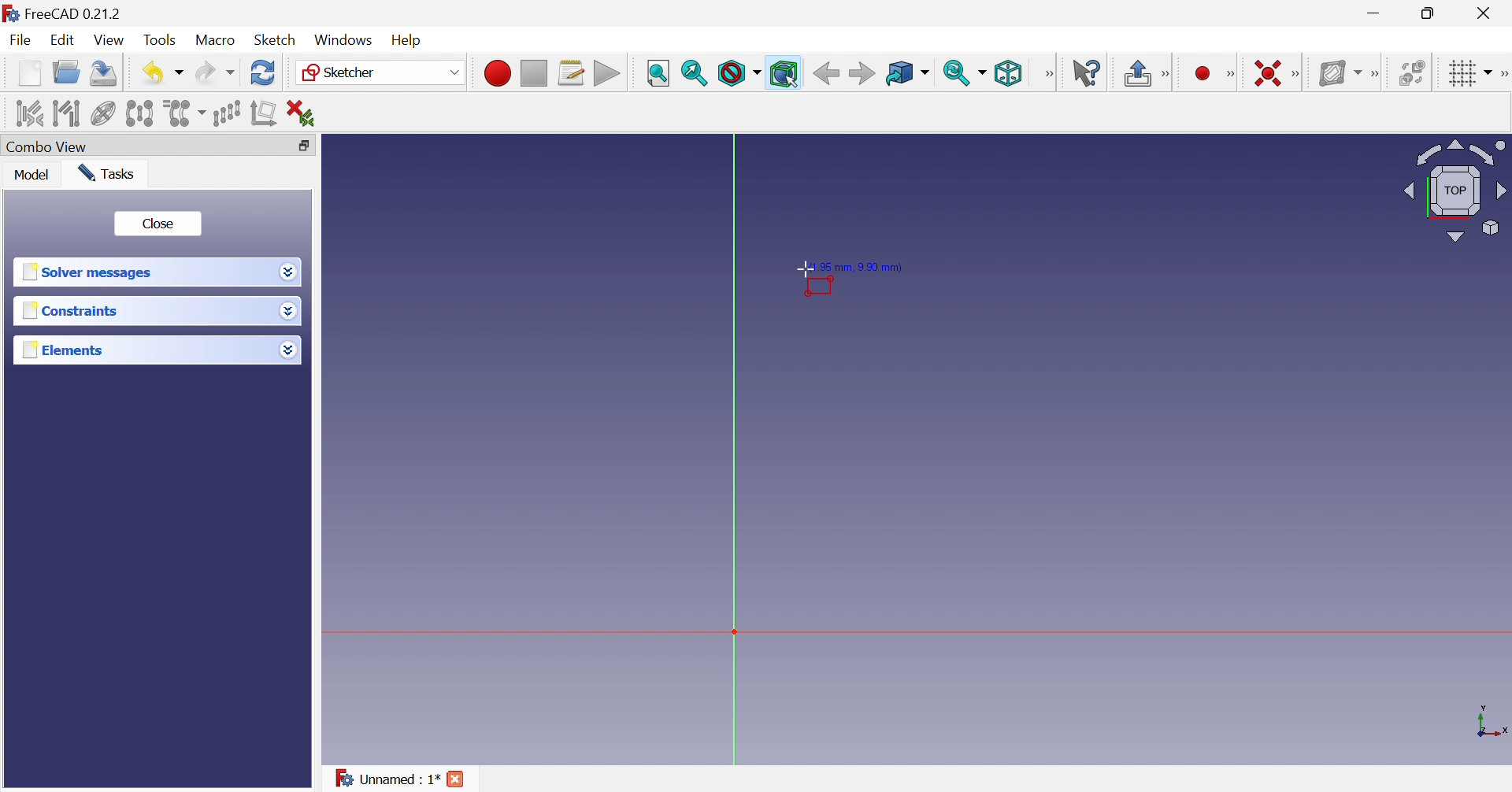 The image size is (1512, 792). What do you see at coordinates (739, 72) in the screenshot?
I see `Draw style` at bounding box center [739, 72].